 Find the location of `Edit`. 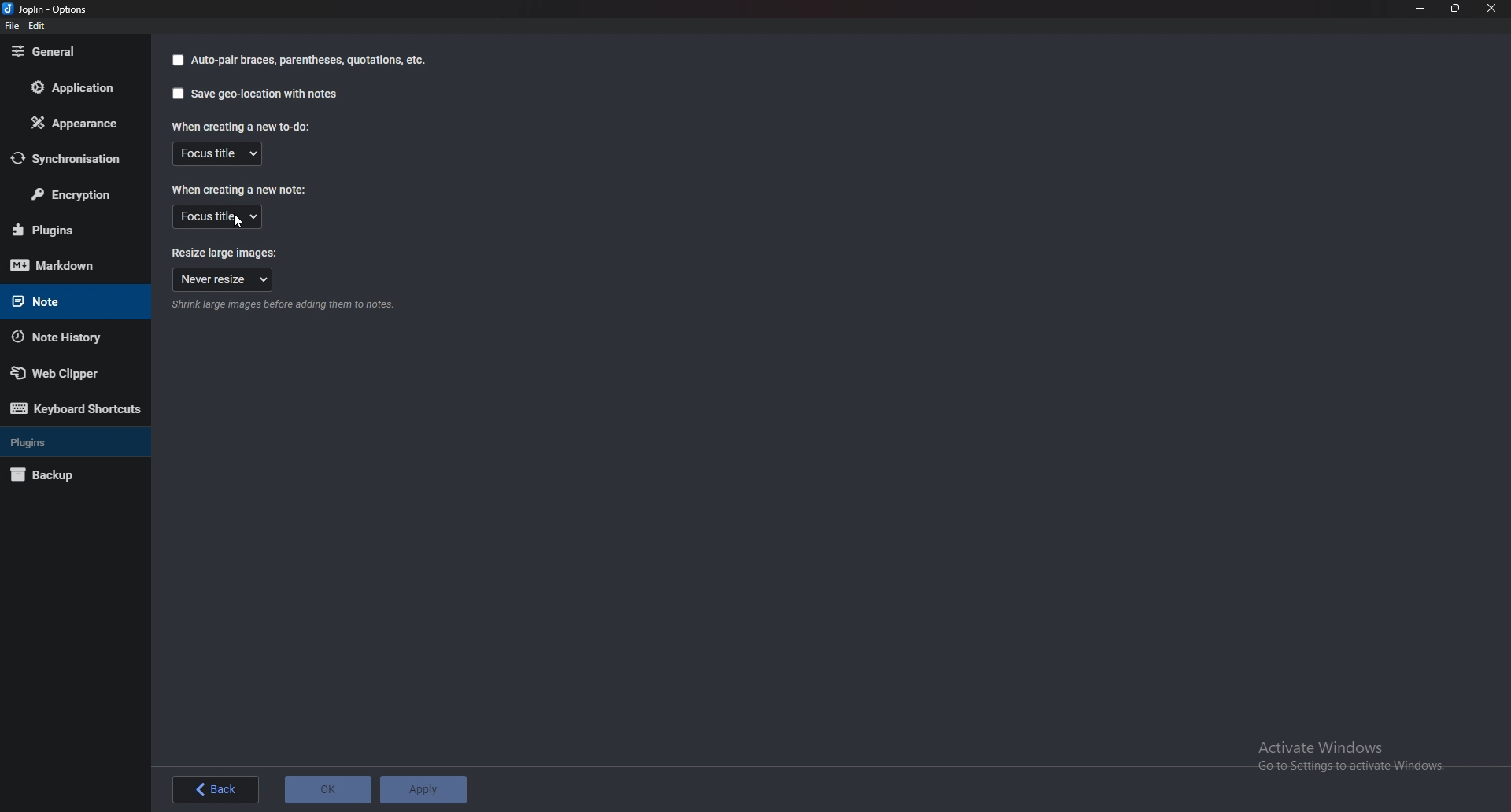

Edit is located at coordinates (38, 27).